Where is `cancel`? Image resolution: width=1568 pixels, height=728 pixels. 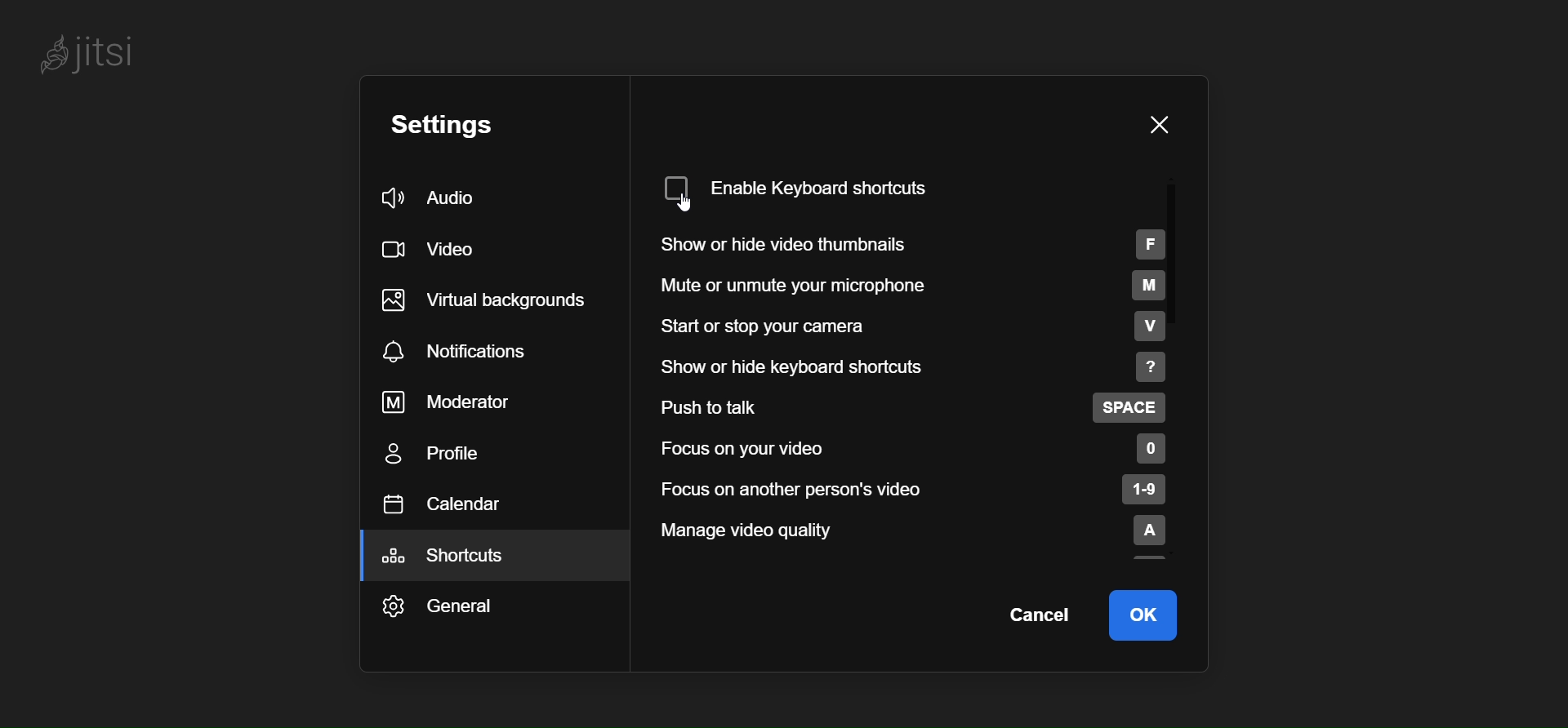 cancel is located at coordinates (1048, 614).